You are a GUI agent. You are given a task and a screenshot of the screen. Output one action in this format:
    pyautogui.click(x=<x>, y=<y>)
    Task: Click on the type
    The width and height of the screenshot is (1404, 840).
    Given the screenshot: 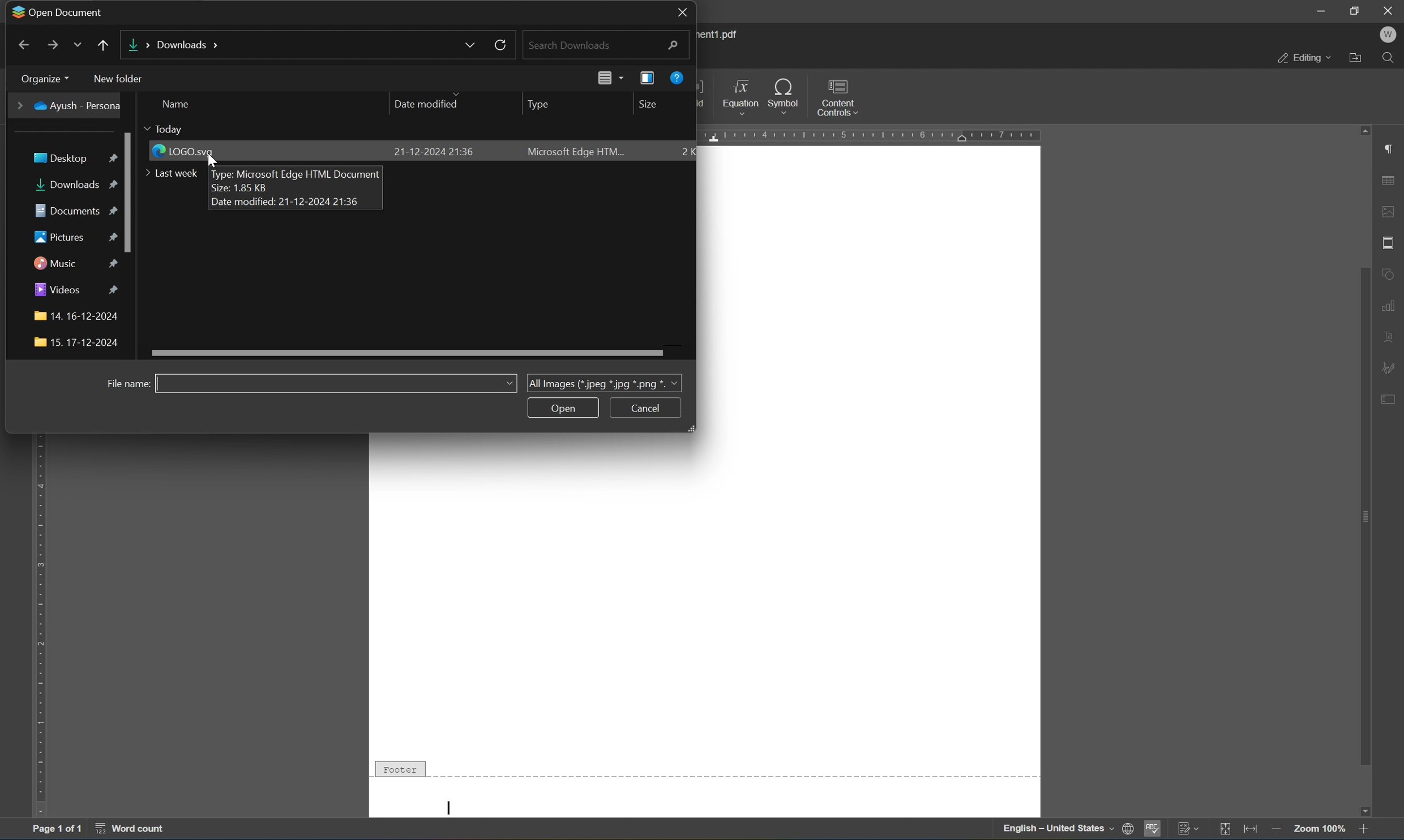 What is the action you would take?
    pyautogui.click(x=541, y=104)
    